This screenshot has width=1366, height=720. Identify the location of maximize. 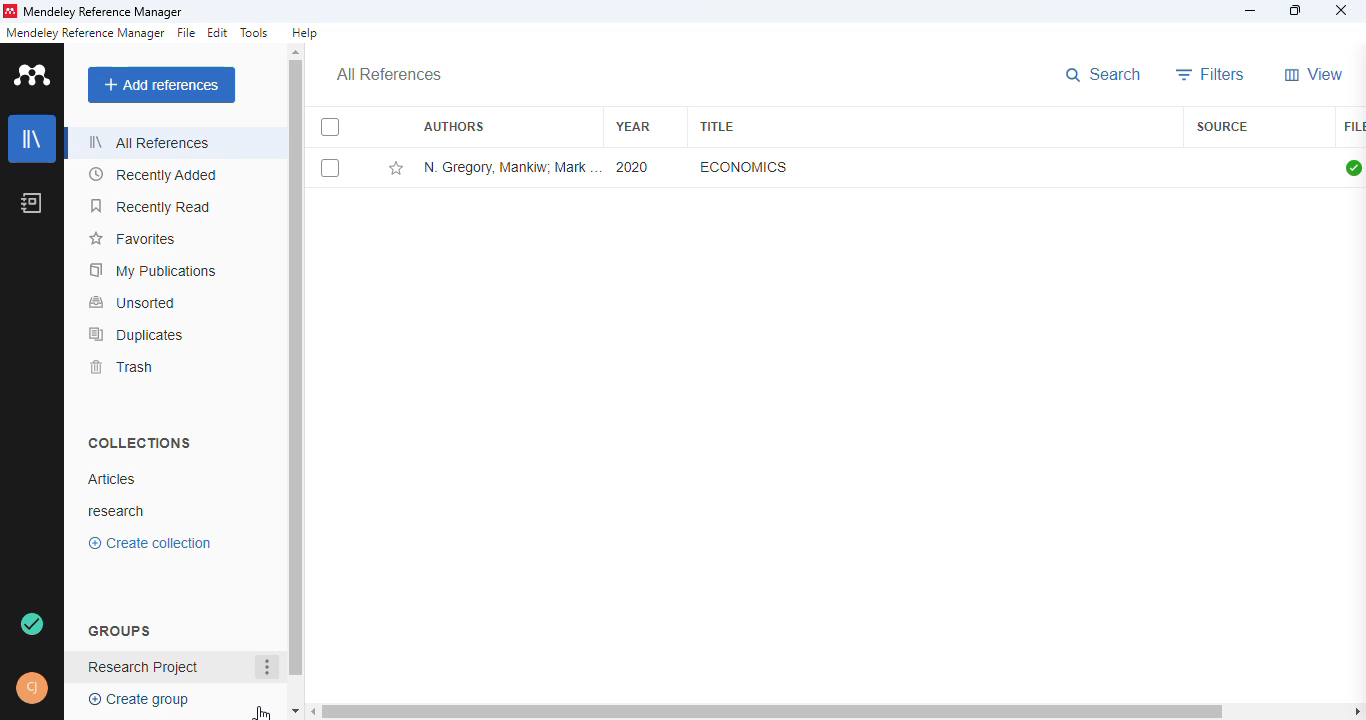
(1297, 10).